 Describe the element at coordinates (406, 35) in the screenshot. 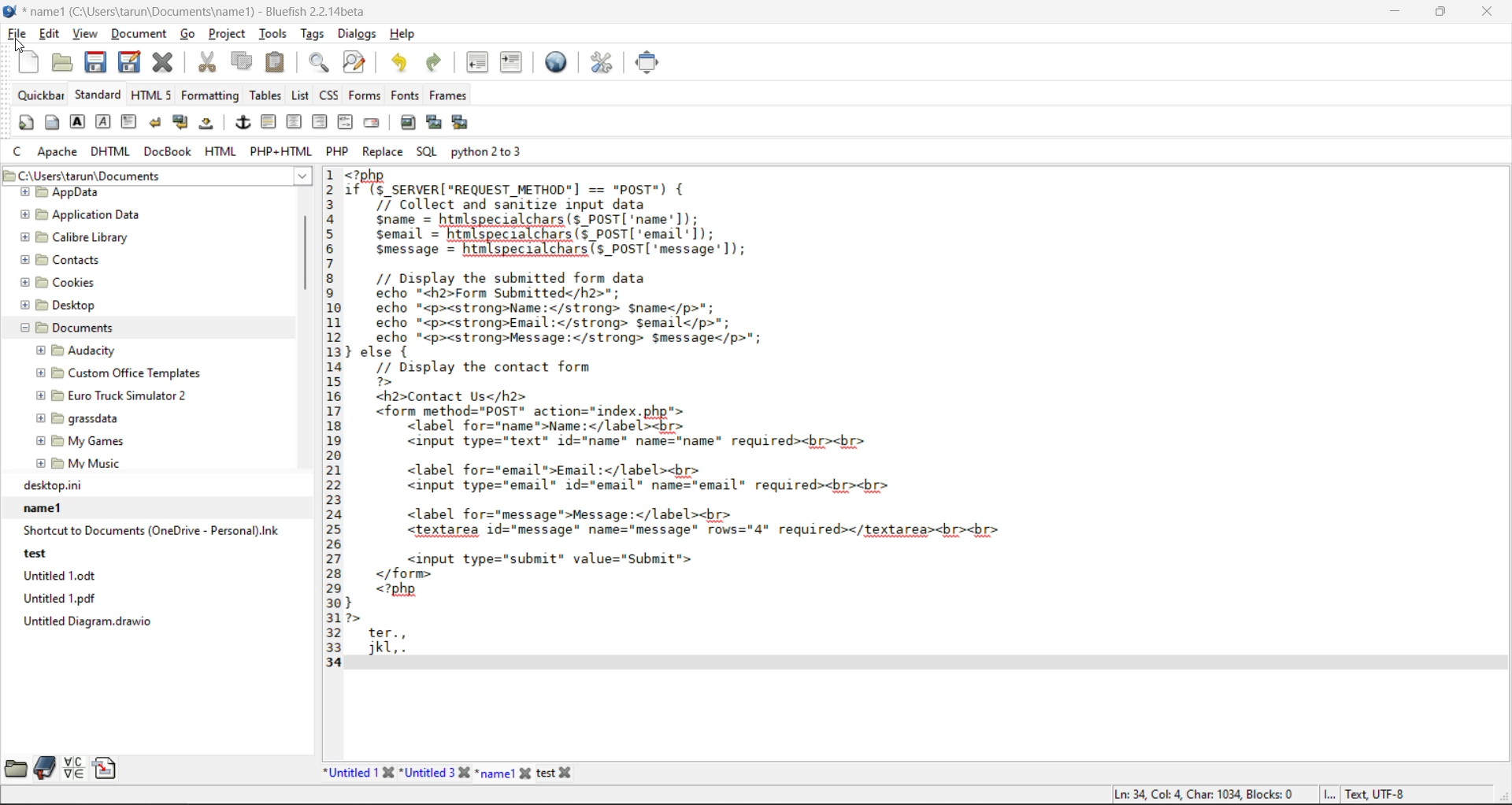

I see `help` at that location.